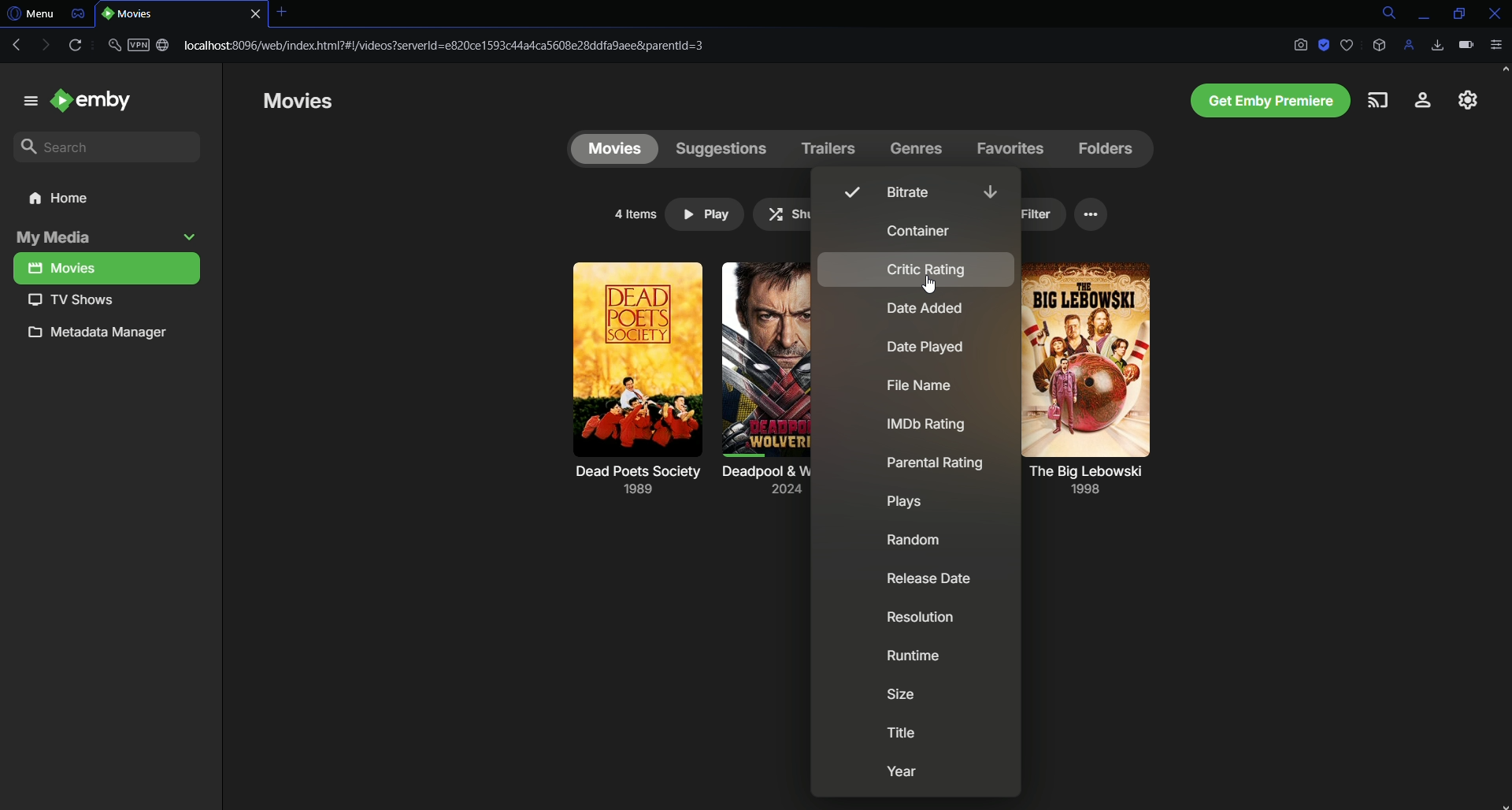 The height and width of the screenshot is (810, 1512). What do you see at coordinates (282, 13) in the screenshot?
I see `Close tab` at bounding box center [282, 13].